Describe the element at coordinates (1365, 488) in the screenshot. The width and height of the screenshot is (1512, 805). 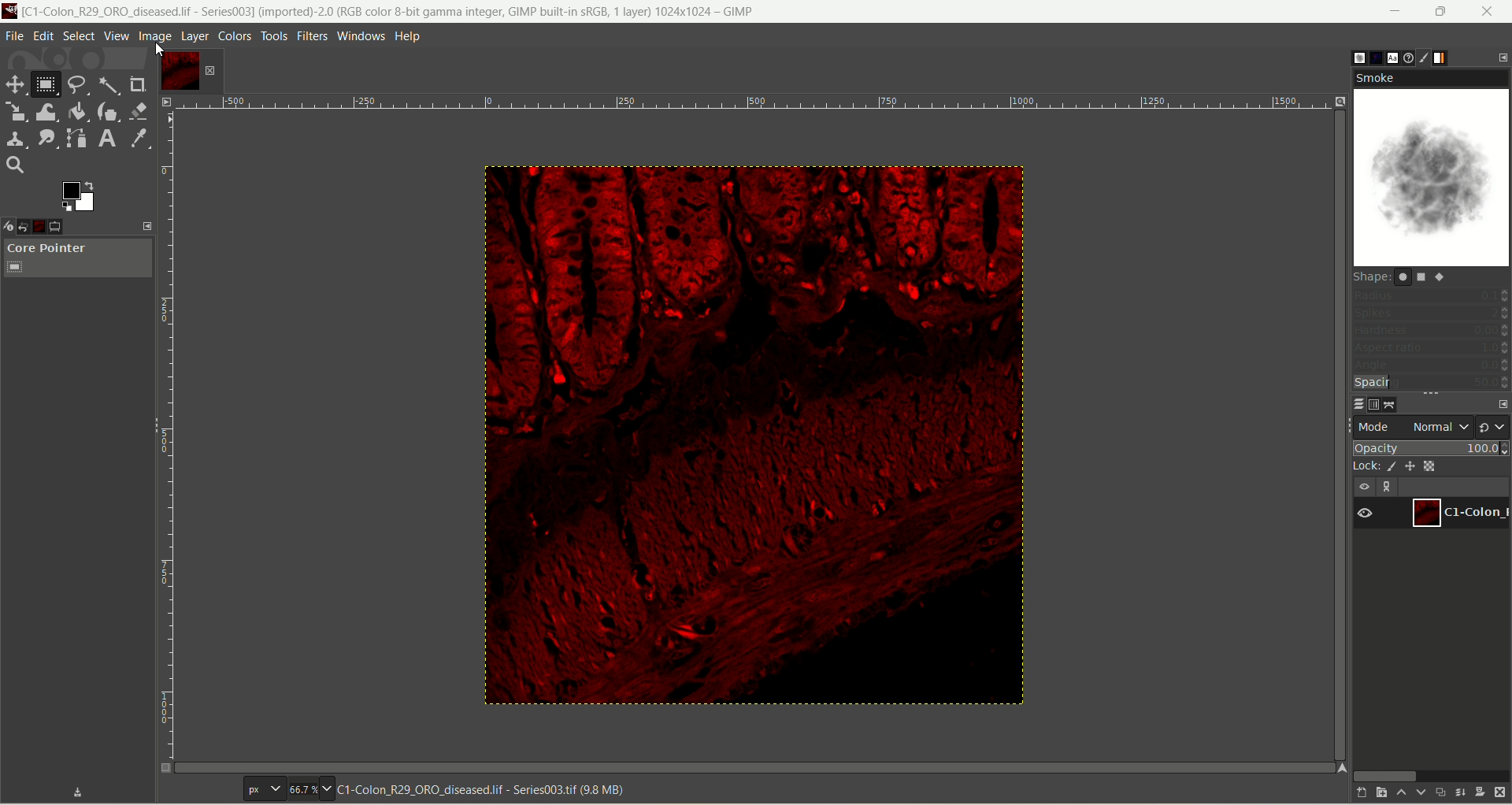
I see `visibility` at that location.